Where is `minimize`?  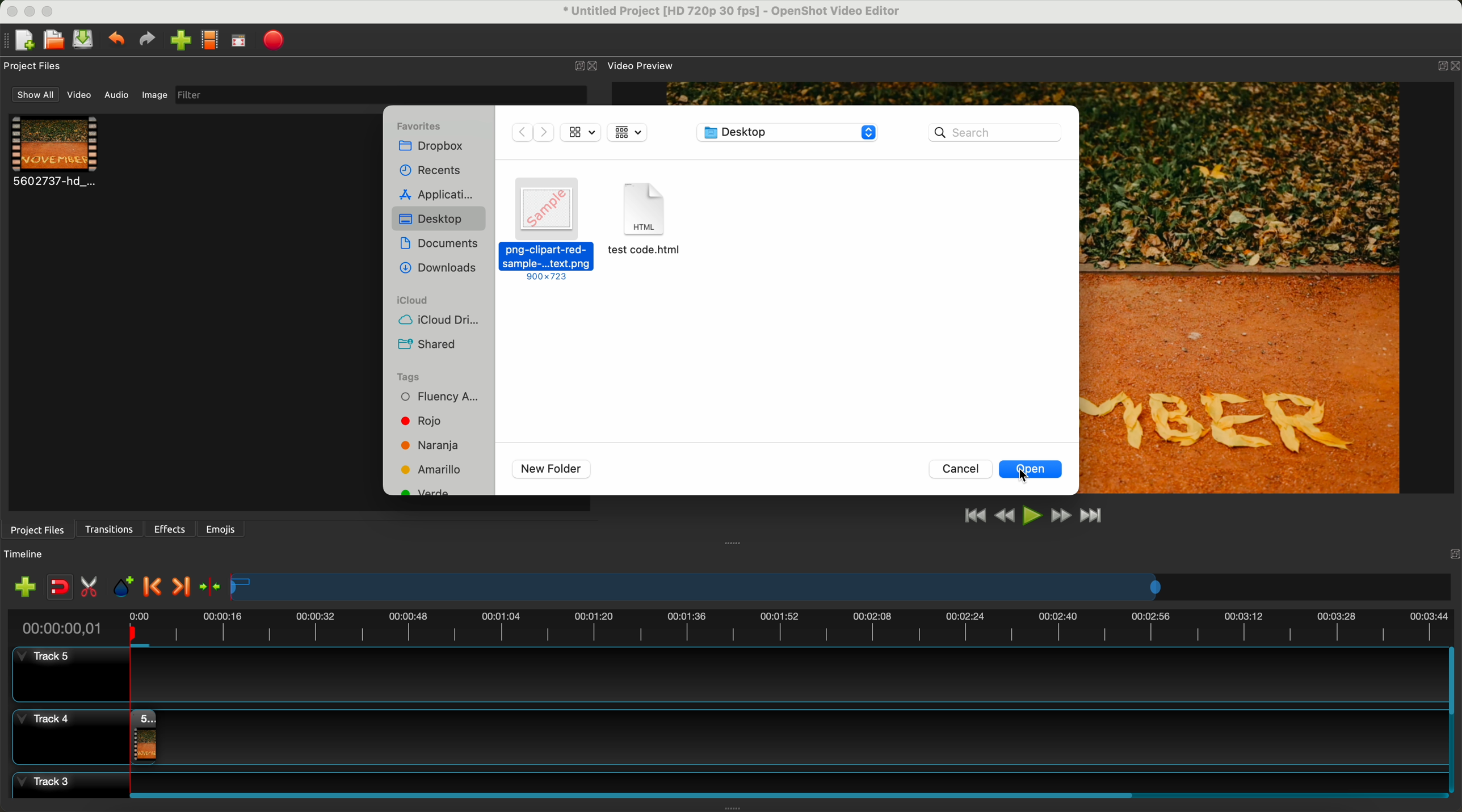
minimize is located at coordinates (30, 14).